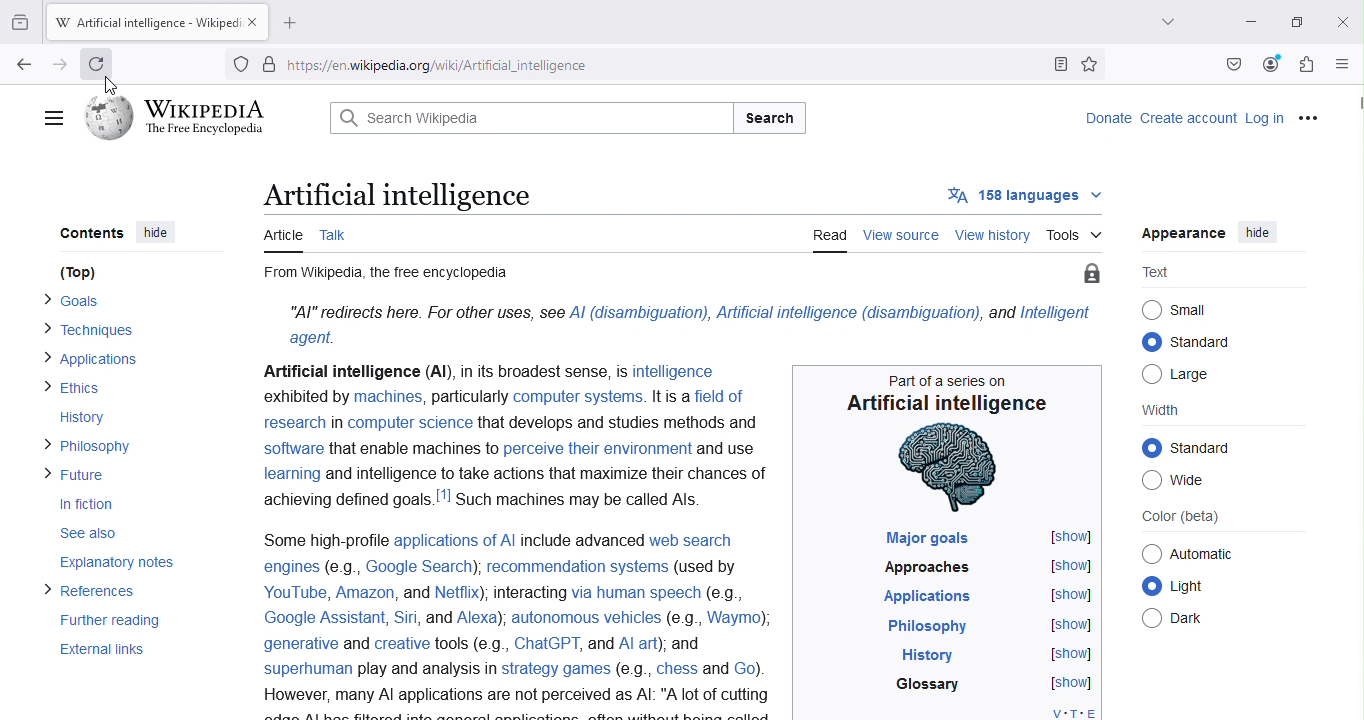  What do you see at coordinates (78, 507) in the screenshot?
I see `In fiction` at bounding box center [78, 507].